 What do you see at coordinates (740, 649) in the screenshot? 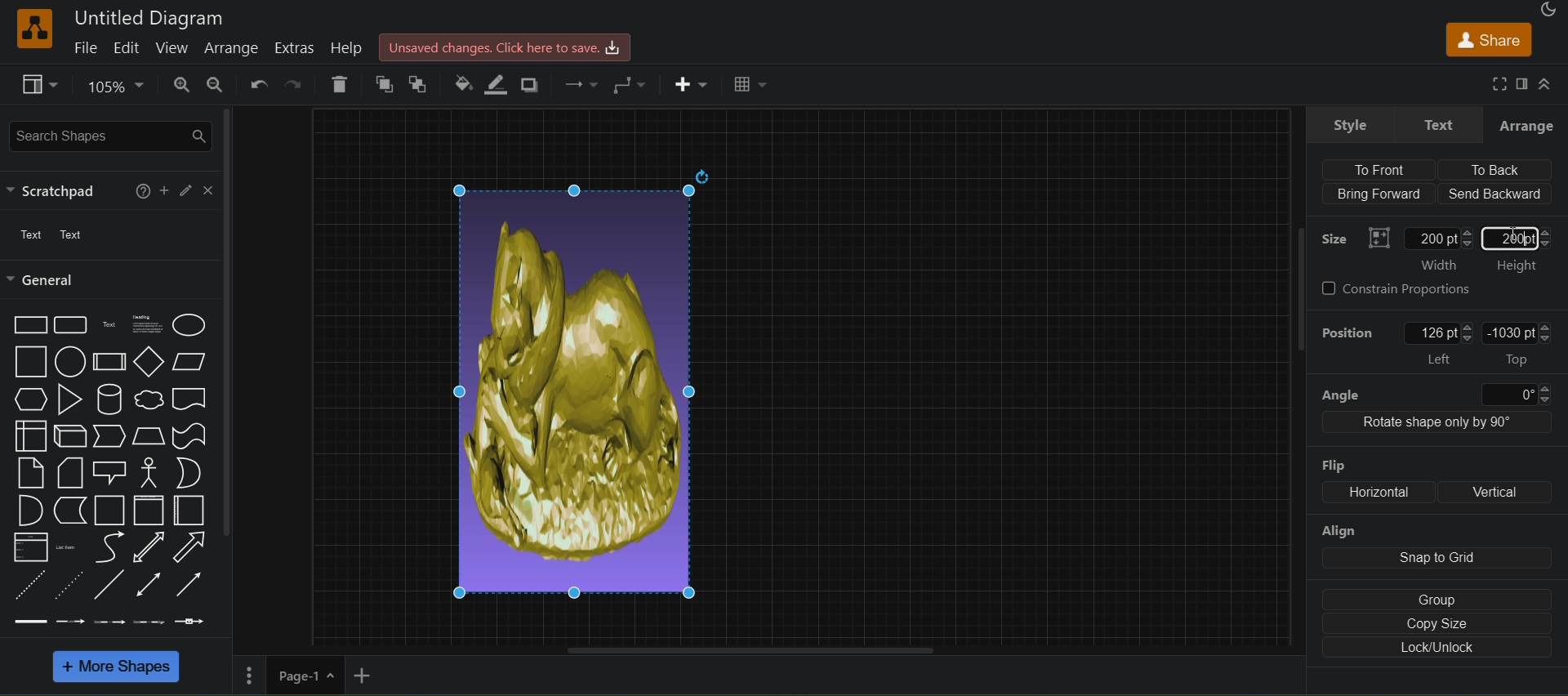
I see `horizontal scroll bar` at bounding box center [740, 649].